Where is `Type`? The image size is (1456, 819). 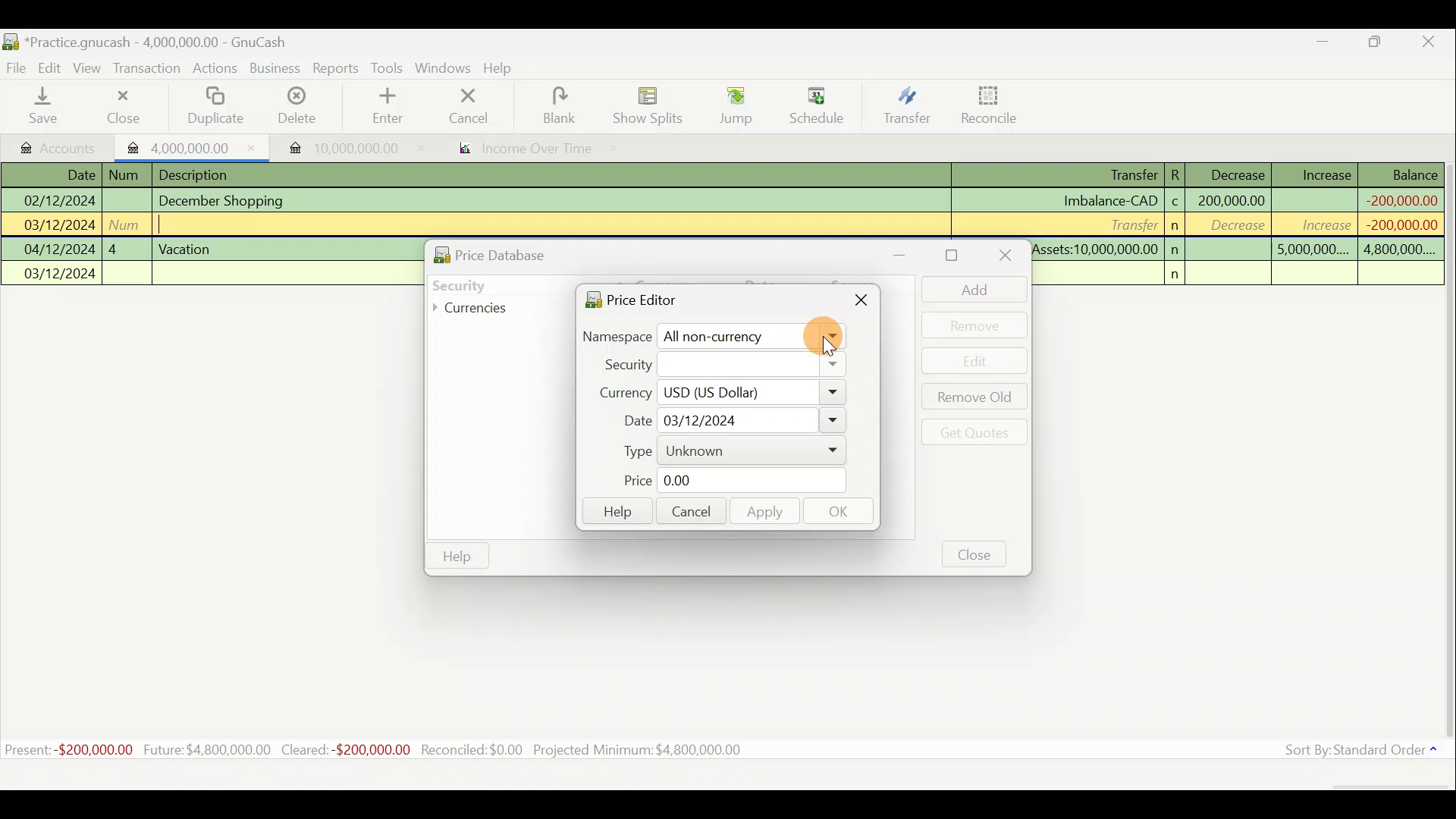
Type is located at coordinates (724, 451).